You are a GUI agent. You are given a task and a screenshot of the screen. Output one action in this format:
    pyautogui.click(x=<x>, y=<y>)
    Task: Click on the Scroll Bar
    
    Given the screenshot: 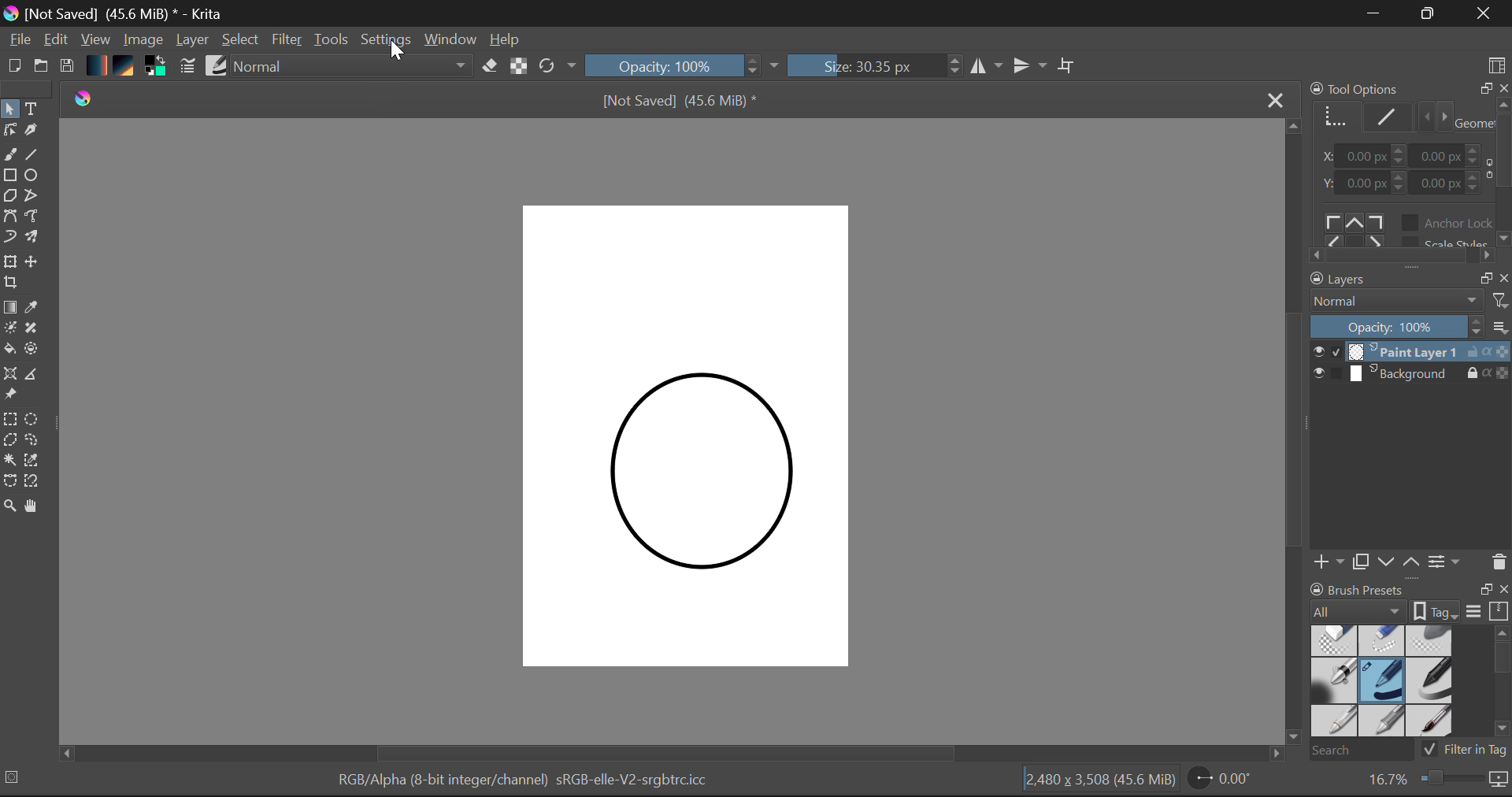 What is the action you would take?
    pyautogui.click(x=682, y=752)
    